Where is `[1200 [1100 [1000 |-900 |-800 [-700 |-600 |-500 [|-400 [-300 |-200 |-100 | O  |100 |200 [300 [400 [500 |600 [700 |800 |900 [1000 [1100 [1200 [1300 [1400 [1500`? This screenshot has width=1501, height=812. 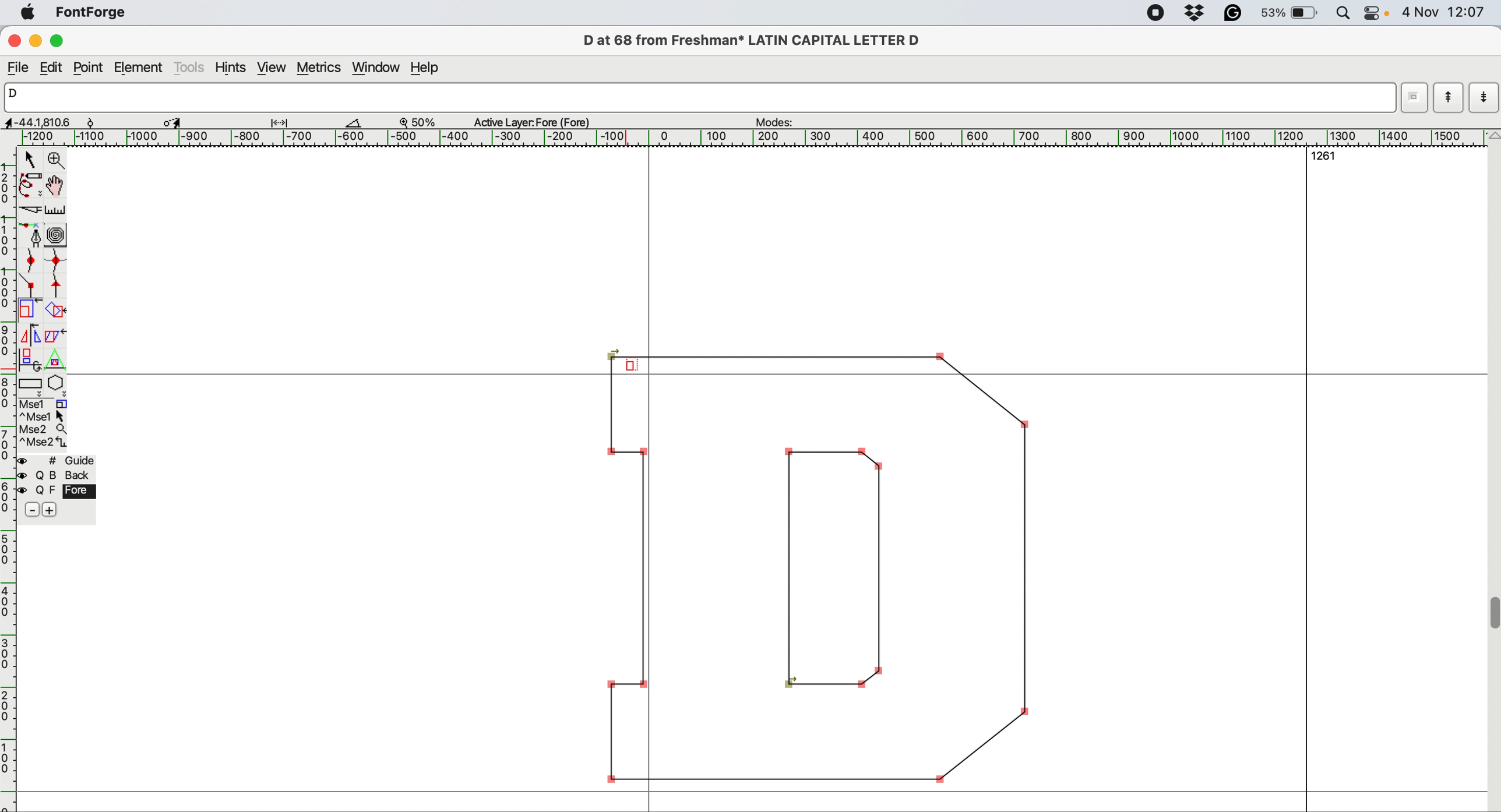 [1200 [1100 [1000 |-900 |-800 [-700 |-600 |-500 [|-400 [-300 |-200 |-100 | O  |100 |200 [300 [400 [500 |600 [700 |800 |900 [1000 [1100 [1200 [1300 [1400 [1500 is located at coordinates (745, 136).